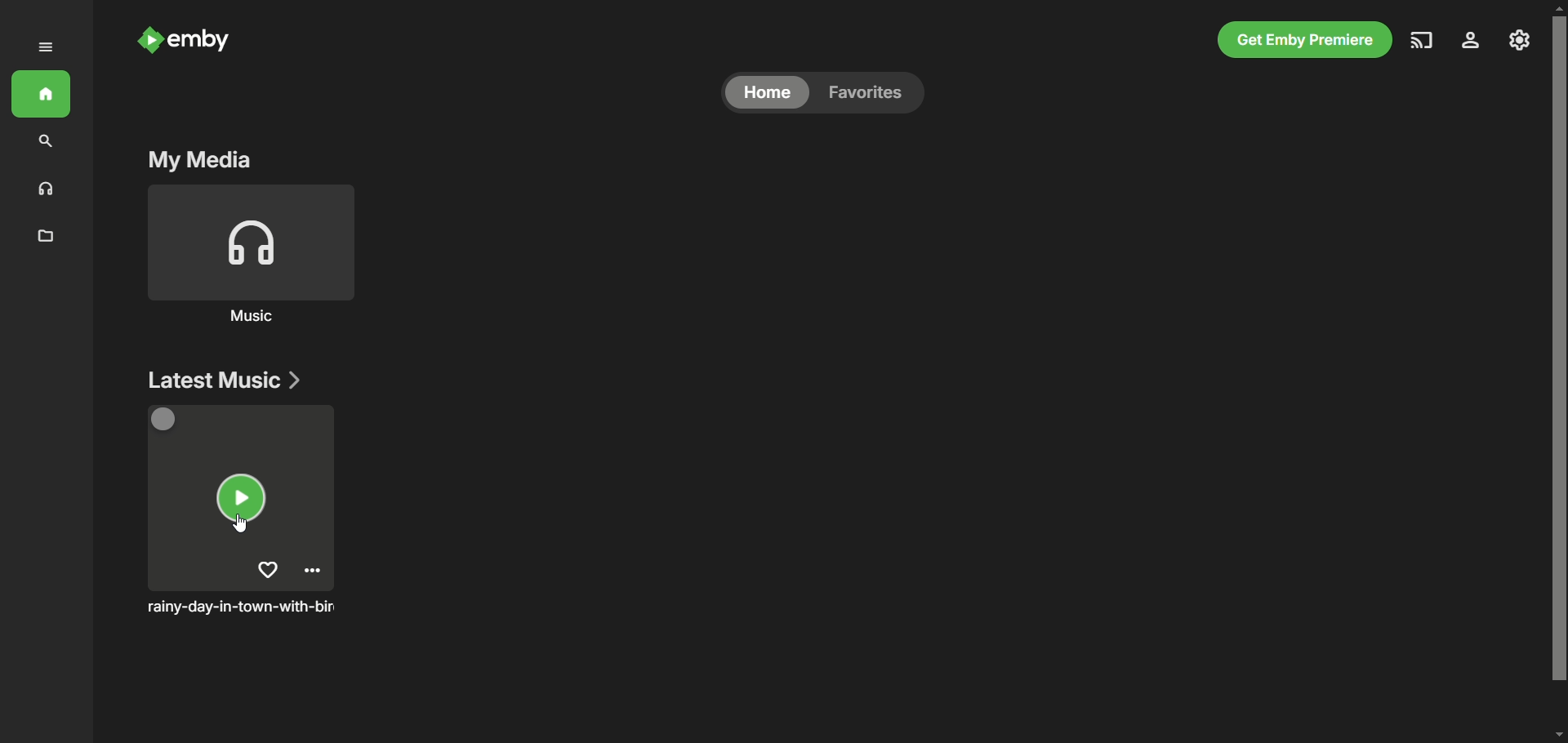 The height and width of the screenshot is (743, 1568). Describe the element at coordinates (237, 523) in the screenshot. I see `cursor` at that location.